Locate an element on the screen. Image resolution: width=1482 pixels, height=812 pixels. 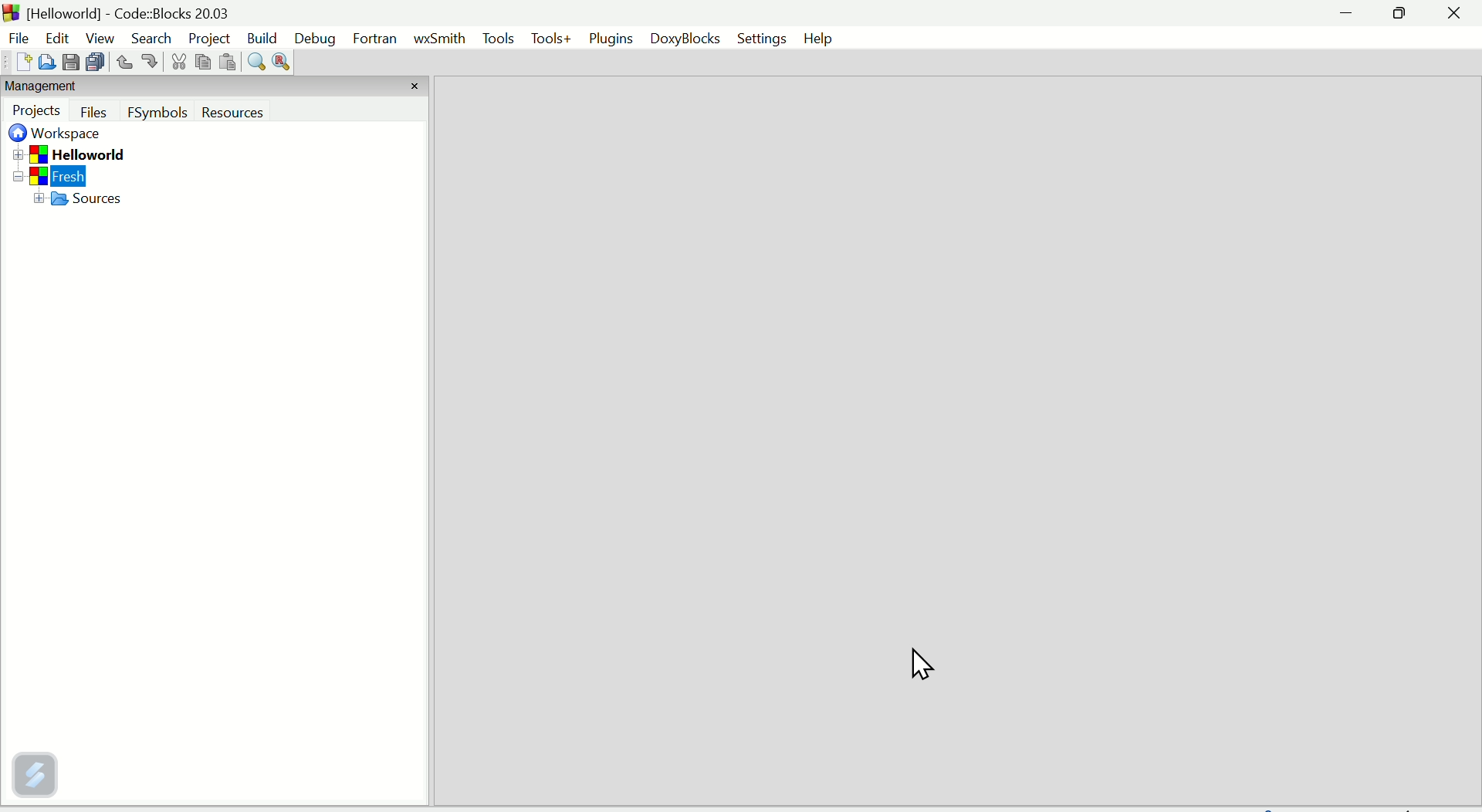
View is located at coordinates (97, 37).